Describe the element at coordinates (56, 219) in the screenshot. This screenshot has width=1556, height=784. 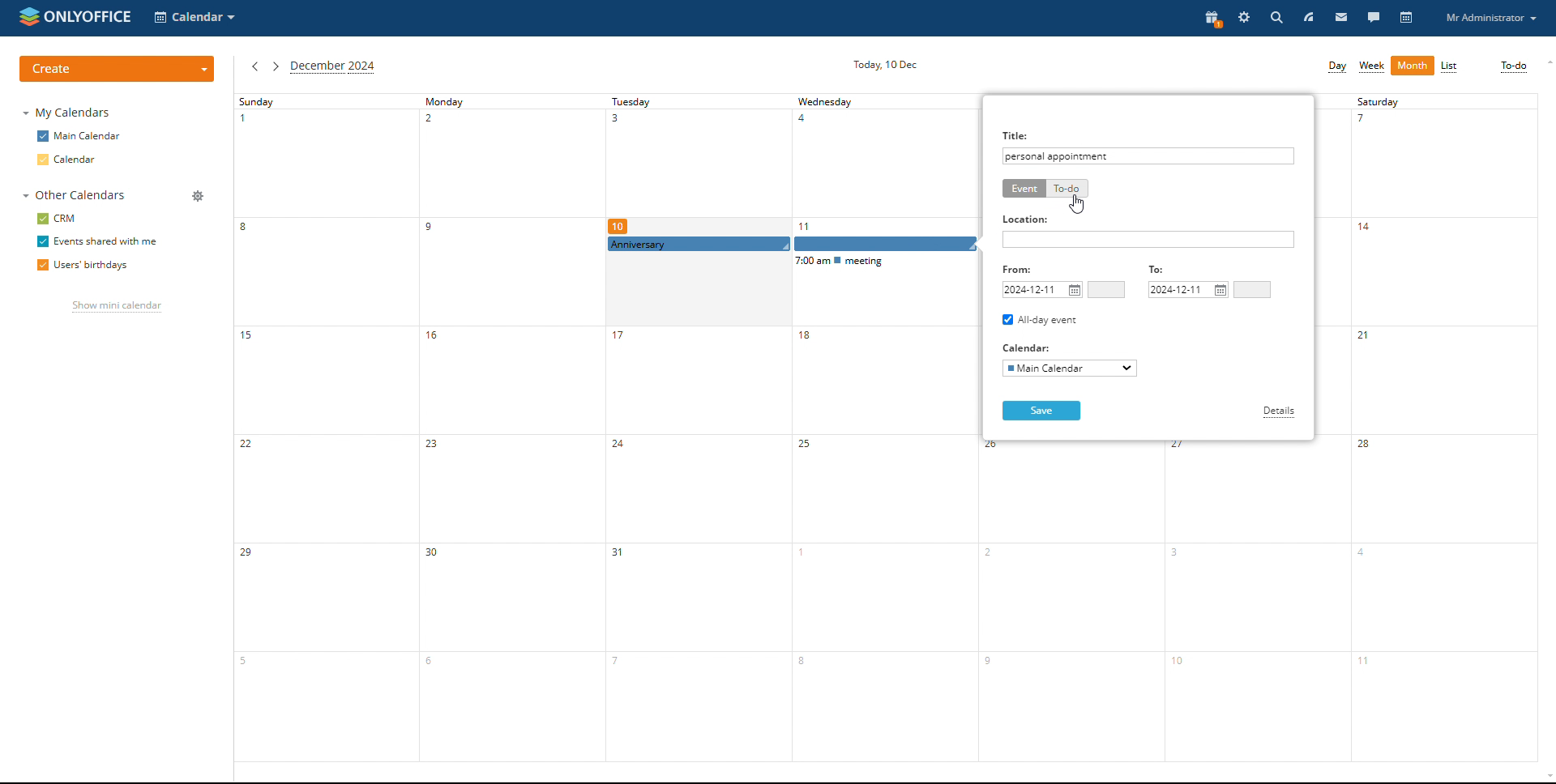
I see `crm` at that location.